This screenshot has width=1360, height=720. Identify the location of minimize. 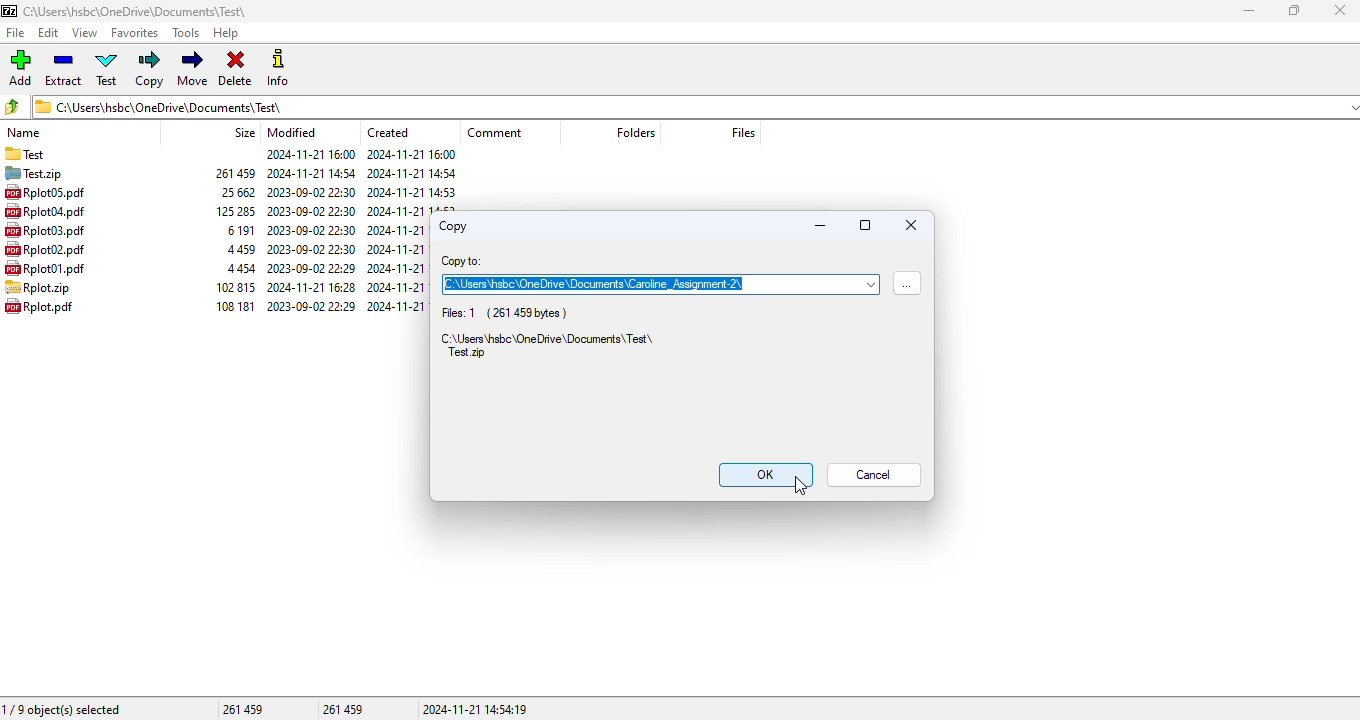
(1247, 11).